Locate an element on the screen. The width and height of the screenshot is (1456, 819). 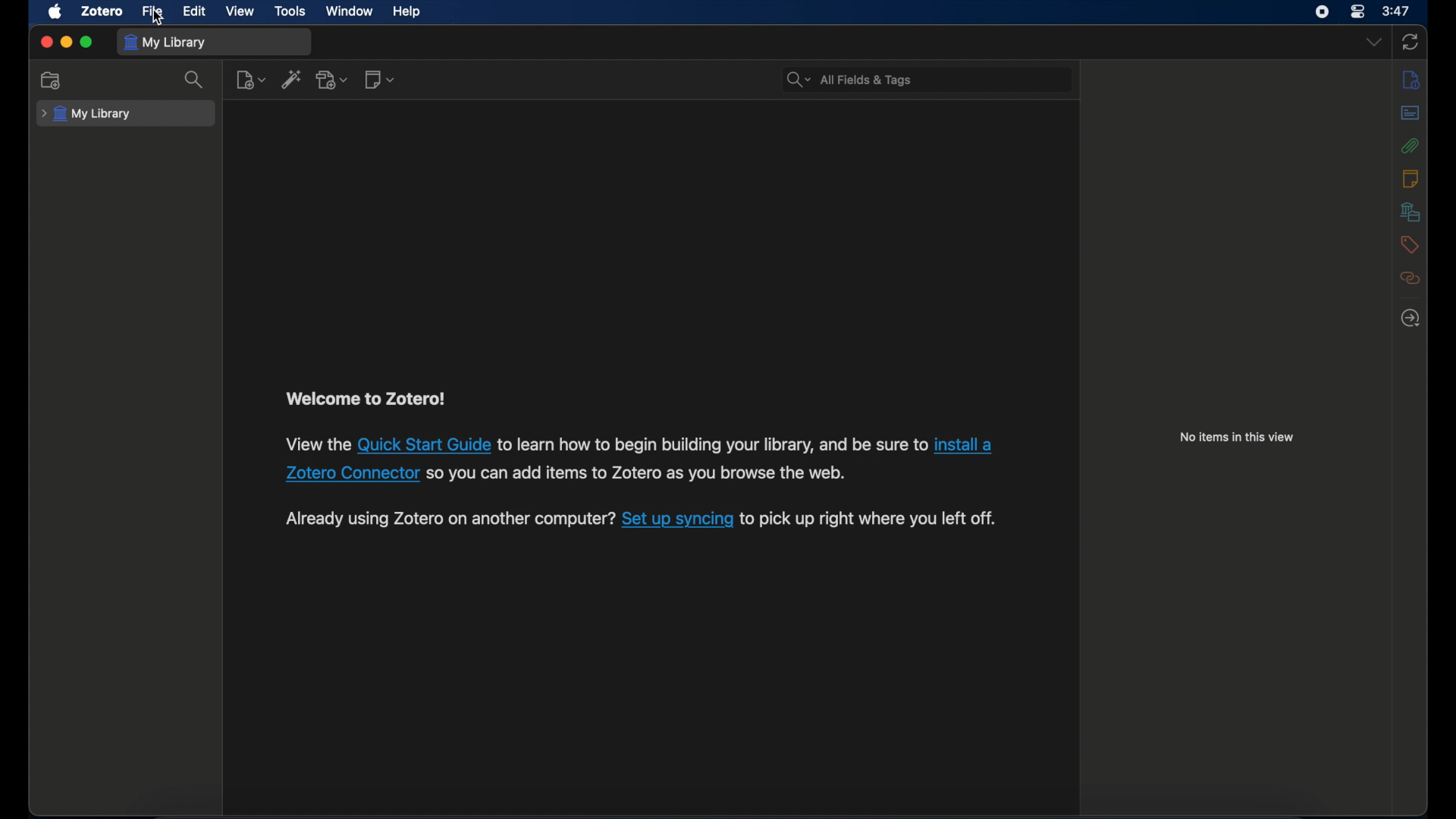
new collection is located at coordinates (51, 80).